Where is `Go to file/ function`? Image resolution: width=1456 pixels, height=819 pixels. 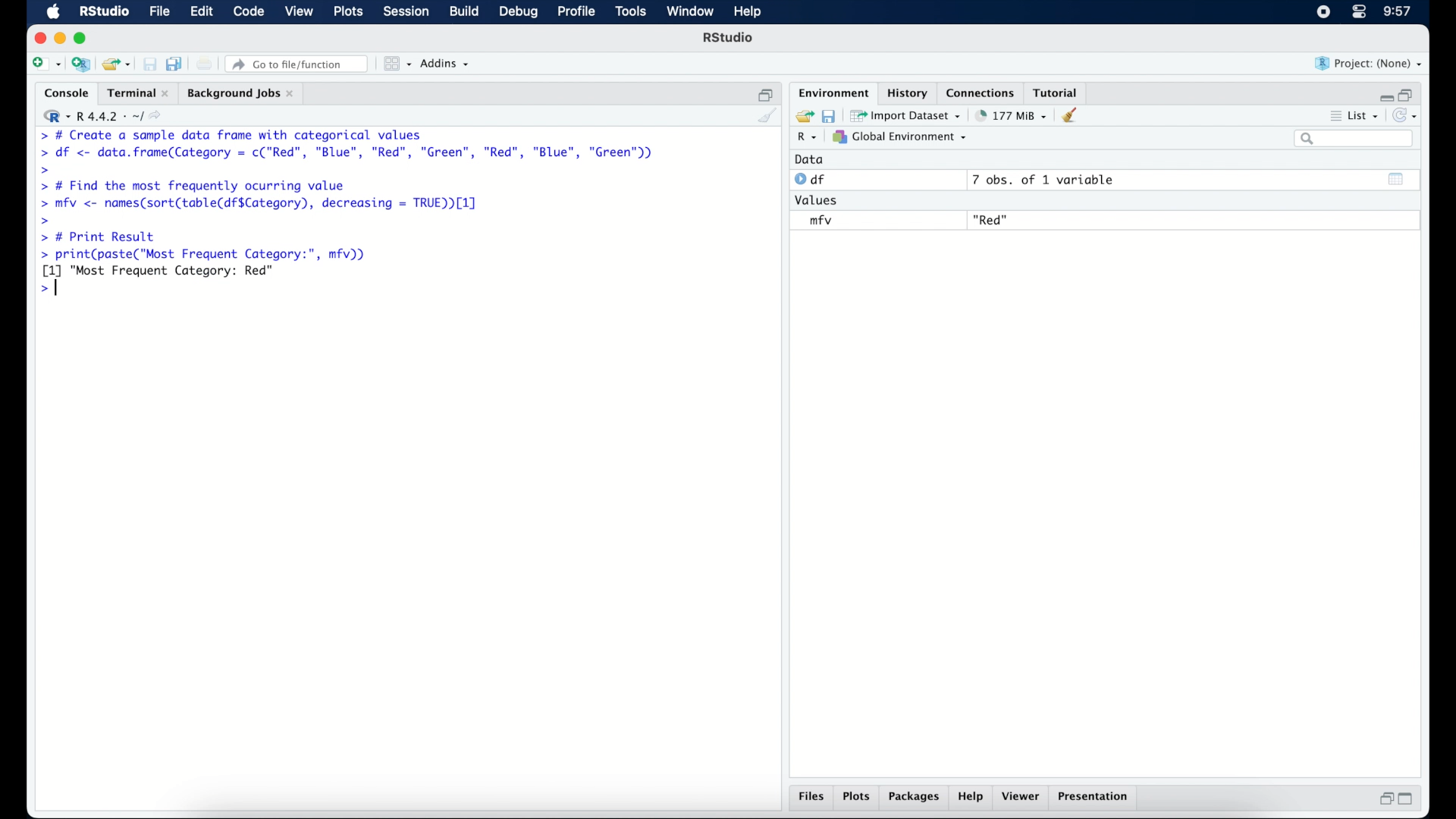 Go to file/ function is located at coordinates (300, 63).